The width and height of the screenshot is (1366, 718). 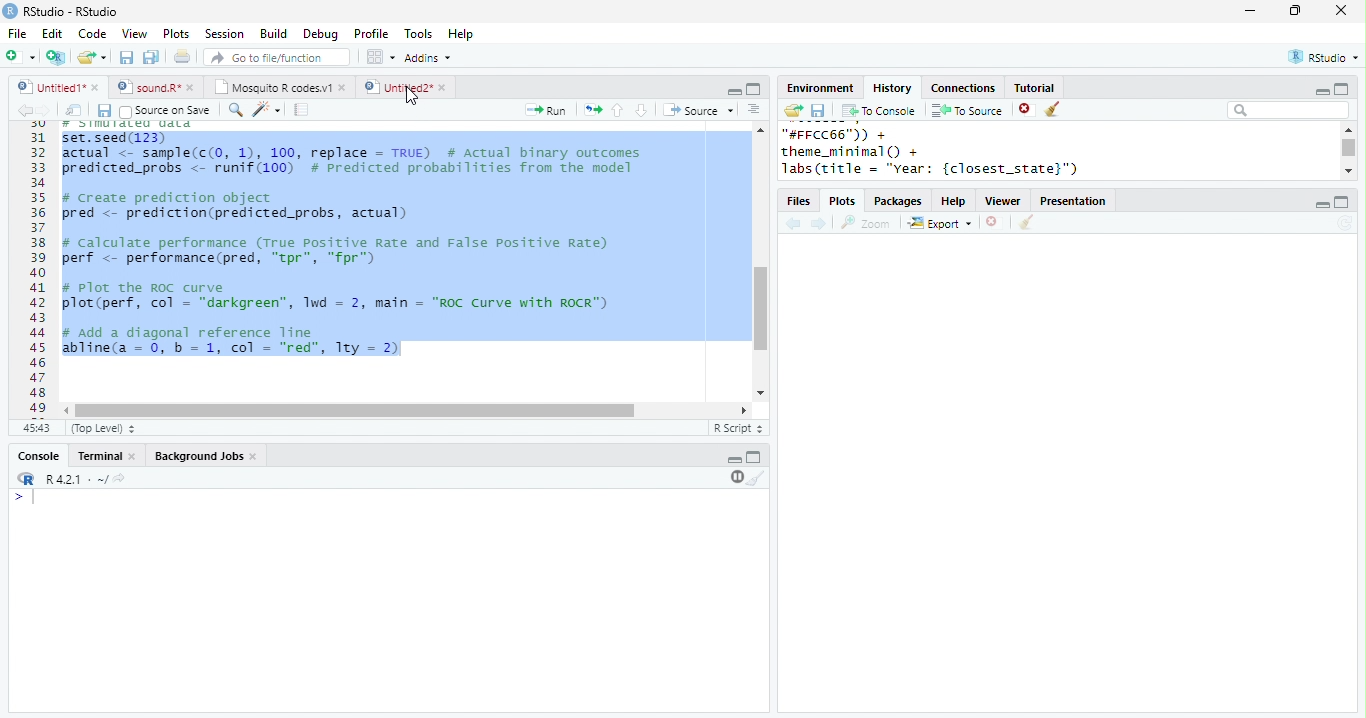 I want to click on scroll bar, so click(x=1350, y=148).